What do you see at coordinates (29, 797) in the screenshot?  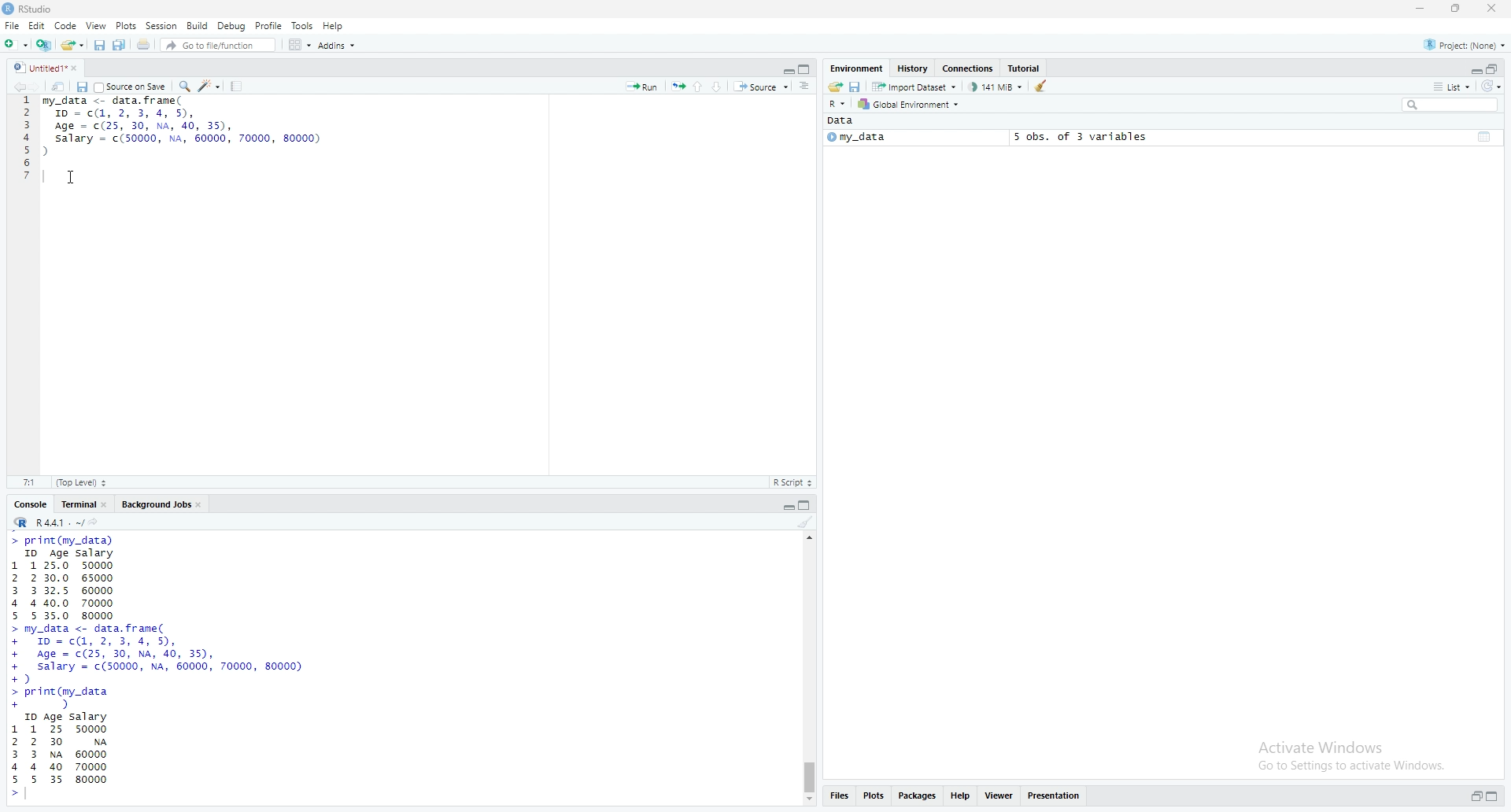 I see `text pointer` at bounding box center [29, 797].